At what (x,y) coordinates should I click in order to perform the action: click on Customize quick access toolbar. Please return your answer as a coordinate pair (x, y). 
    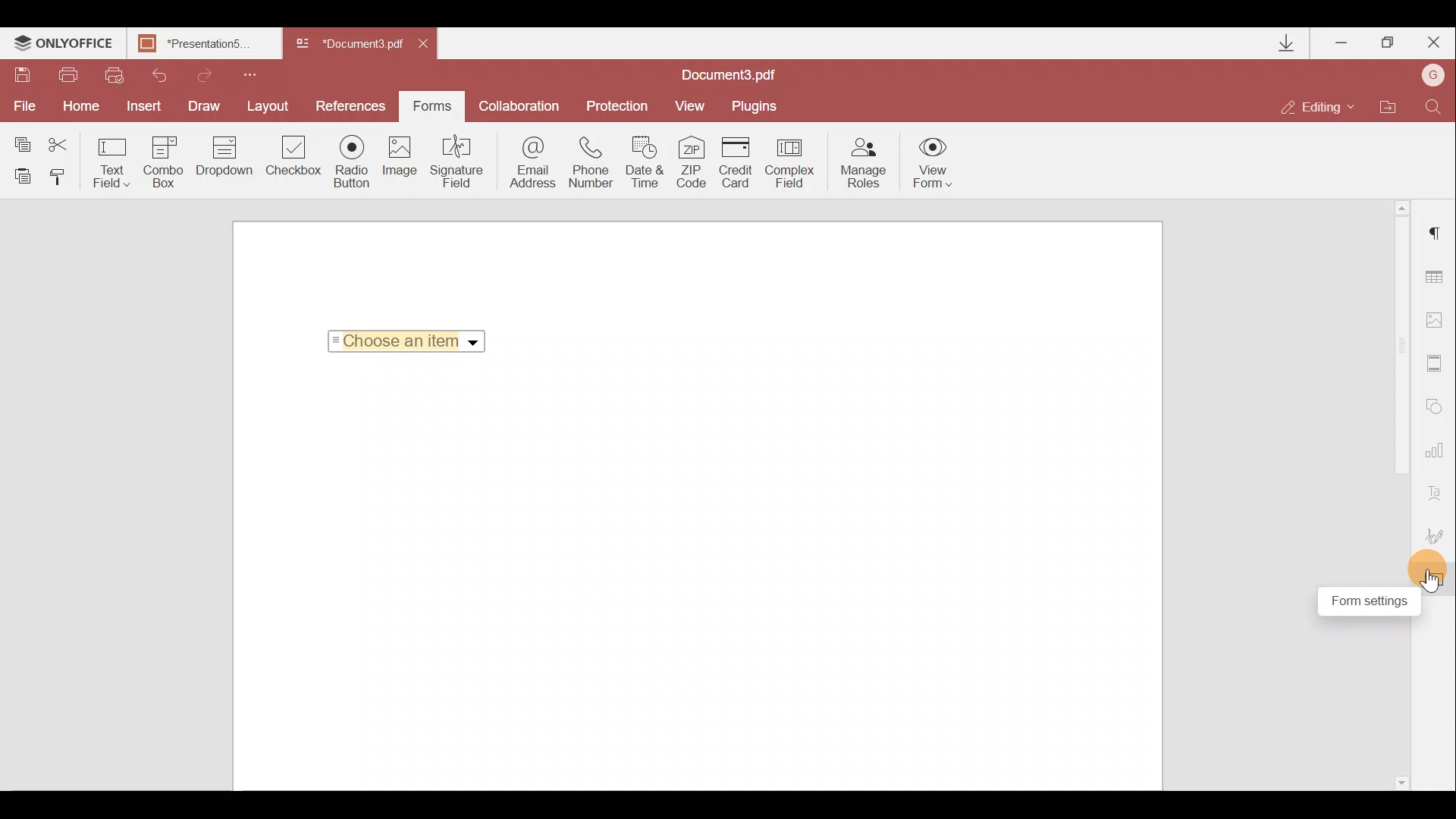
    Looking at the image, I should click on (244, 73).